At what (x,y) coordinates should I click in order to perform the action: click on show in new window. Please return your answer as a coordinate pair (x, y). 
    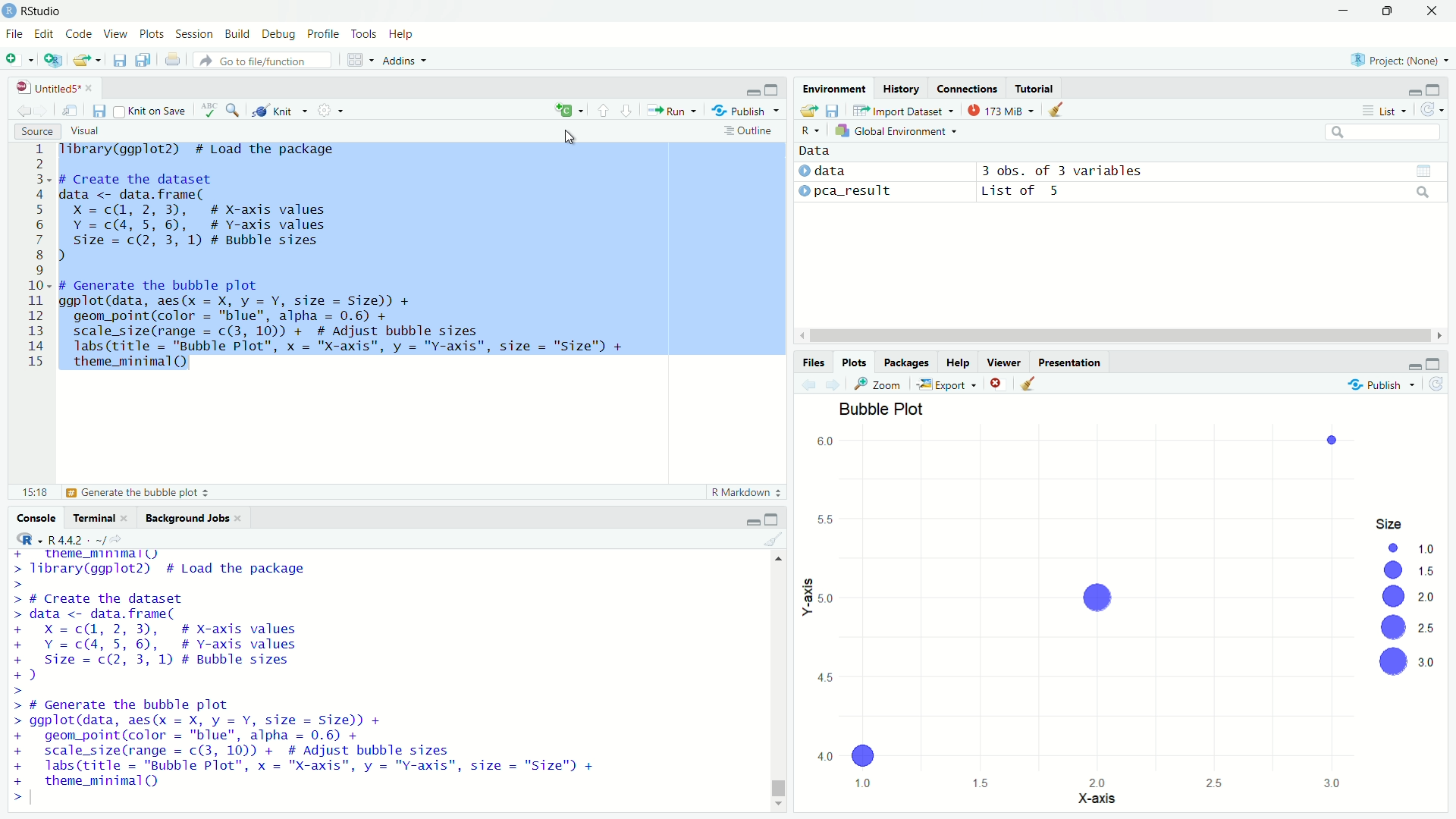
    Looking at the image, I should click on (71, 111).